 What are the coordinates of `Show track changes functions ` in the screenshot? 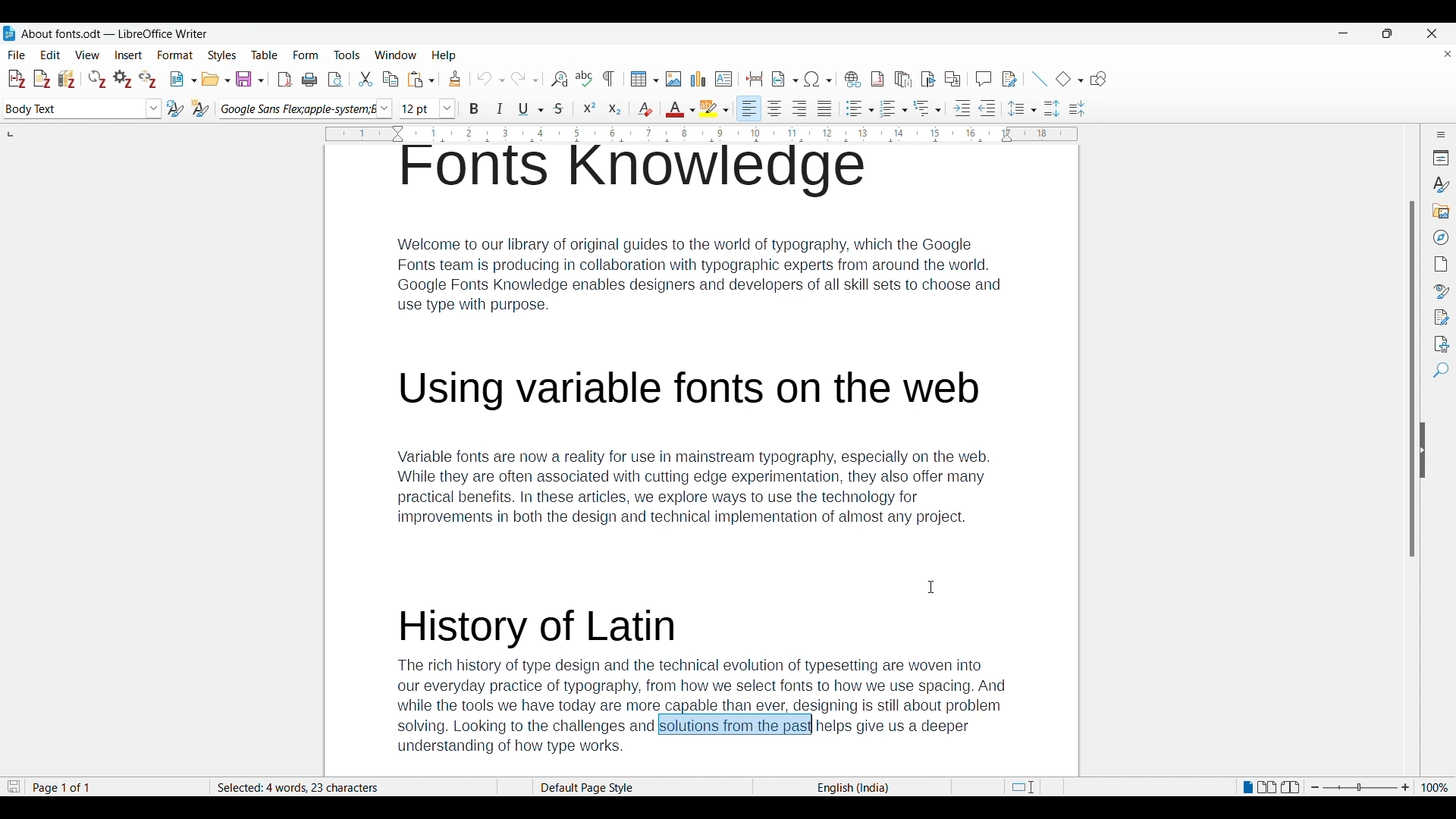 It's located at (1009, 79).